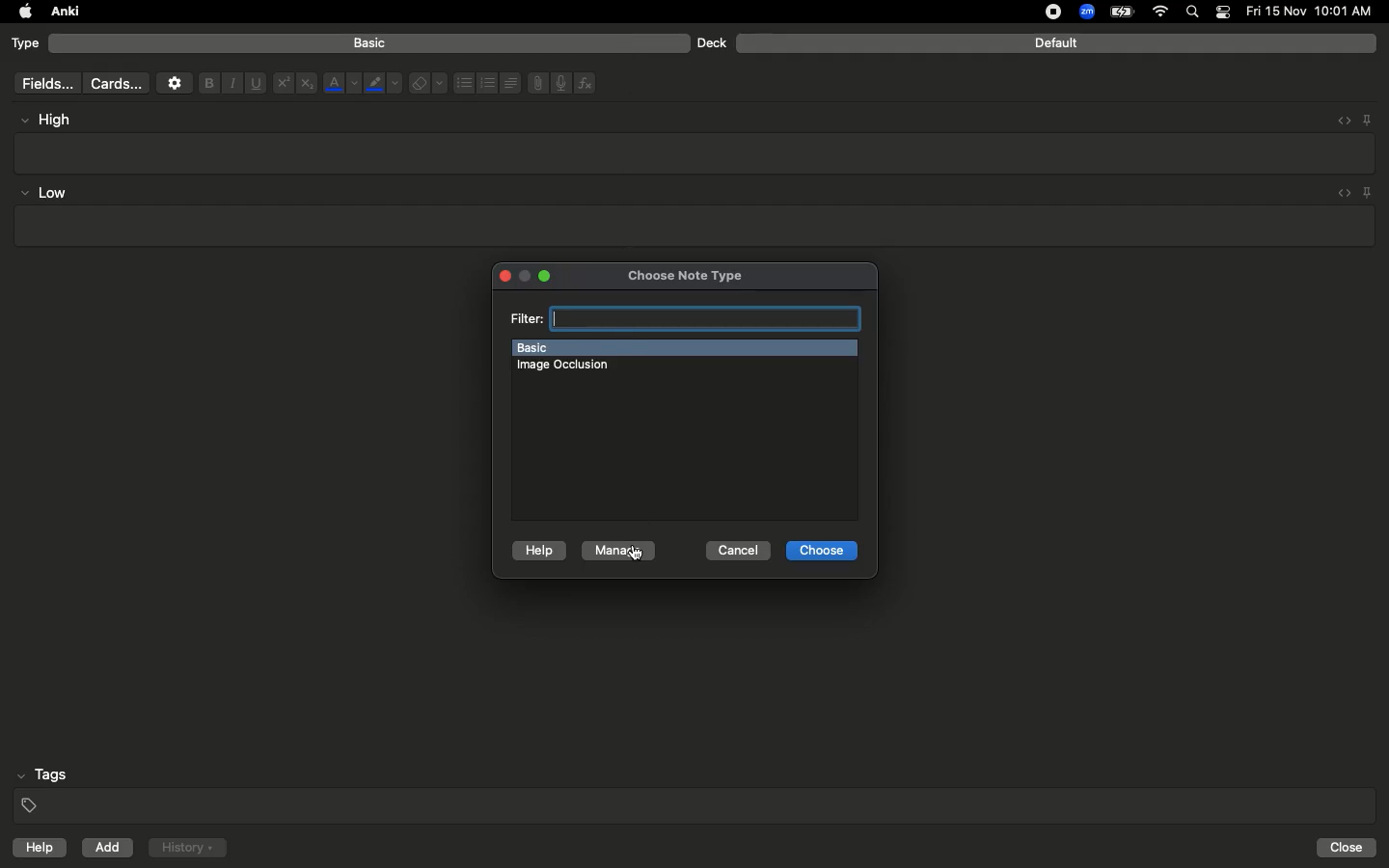  What do you see at coordinates (696, 791) in the screenshot?
I see `Tags` at bounding box center [696, 791].